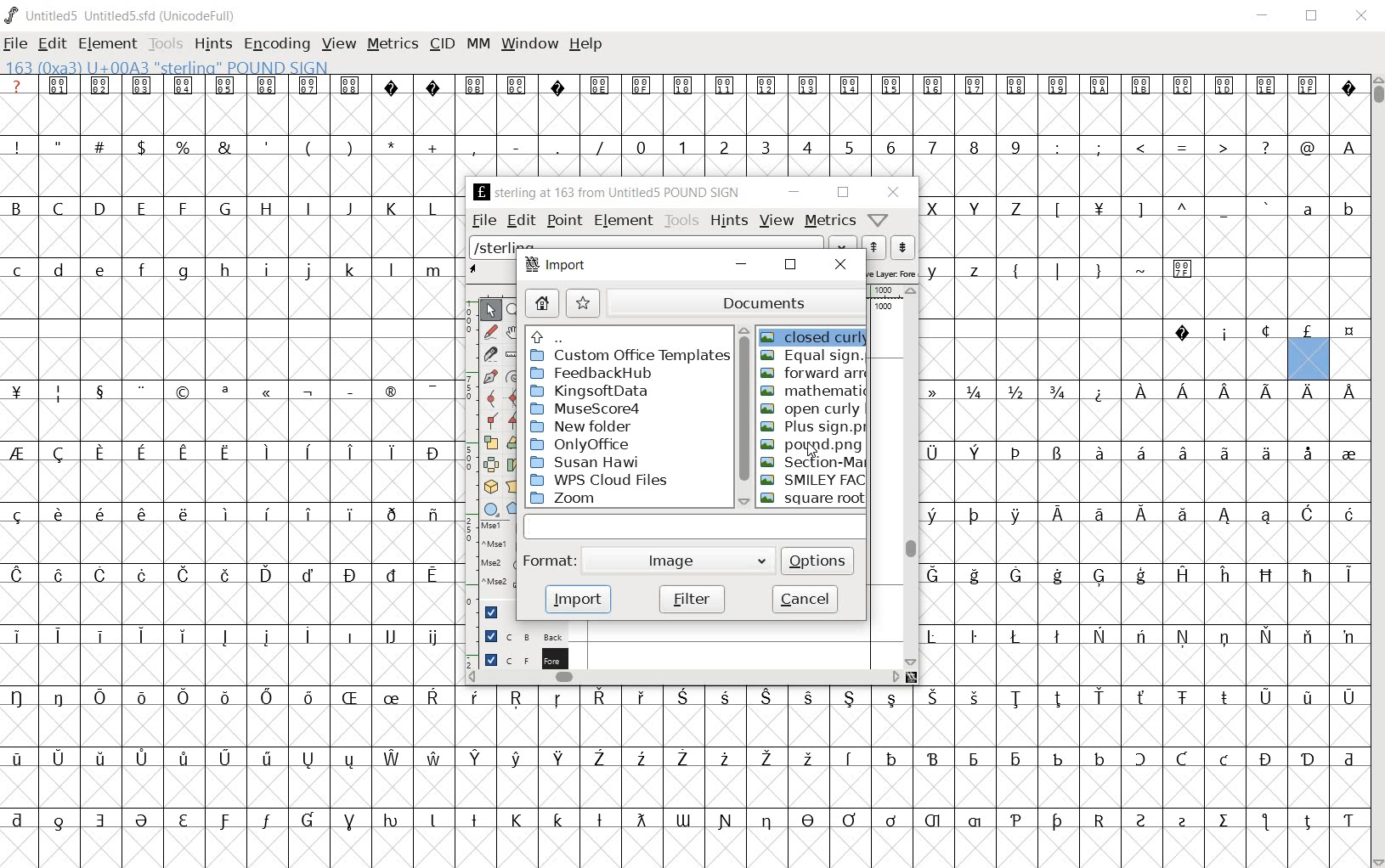  Describe the element at coordinates (843, 245) in the screenshot. I see `load word list` at that location.